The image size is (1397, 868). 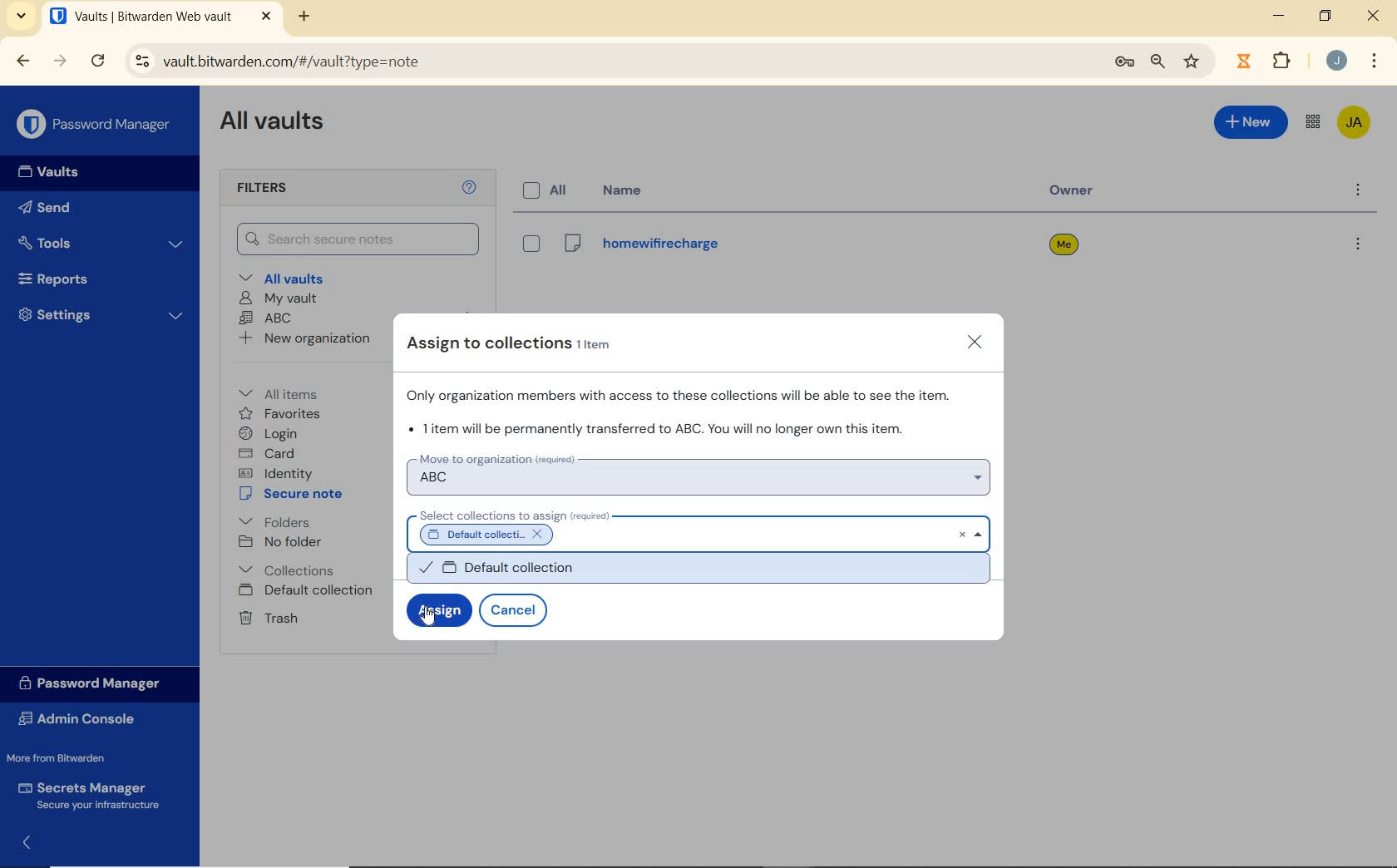 What do you see at coordinates (95, 277) in the screenshot?
I see `Reports` at bounding box center [95, 277].